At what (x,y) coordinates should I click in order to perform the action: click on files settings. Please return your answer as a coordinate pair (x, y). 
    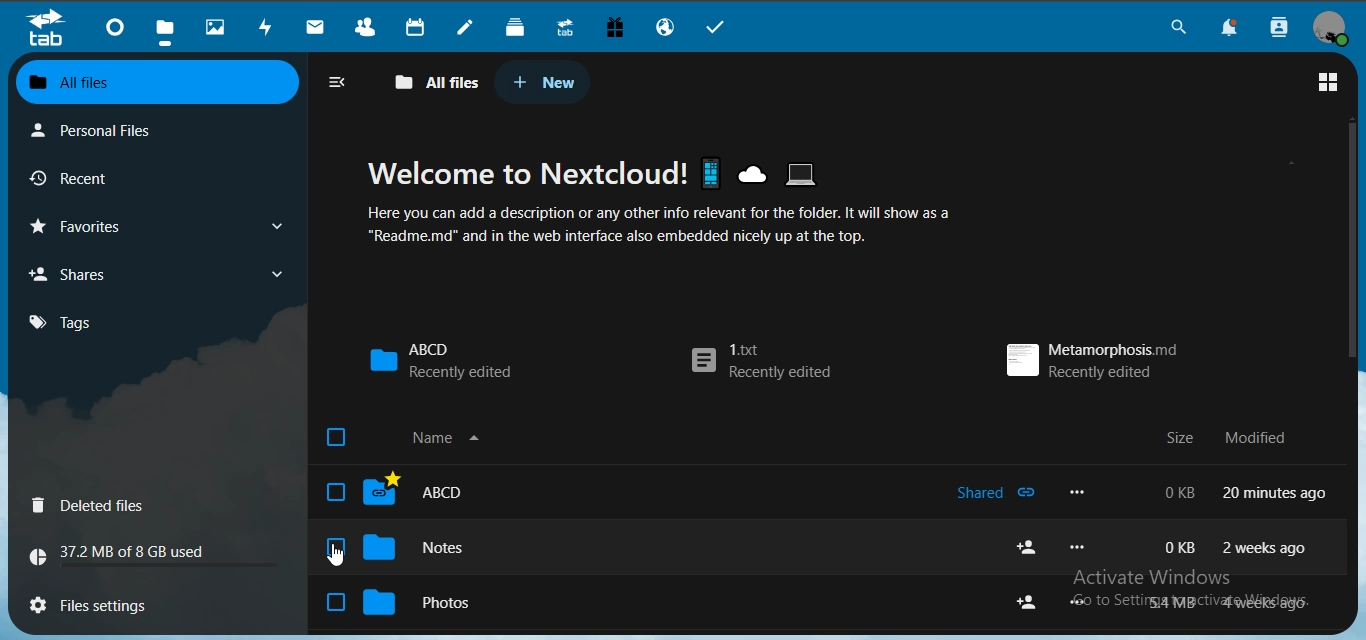
    Looking at the image, I should click on (99, 604).